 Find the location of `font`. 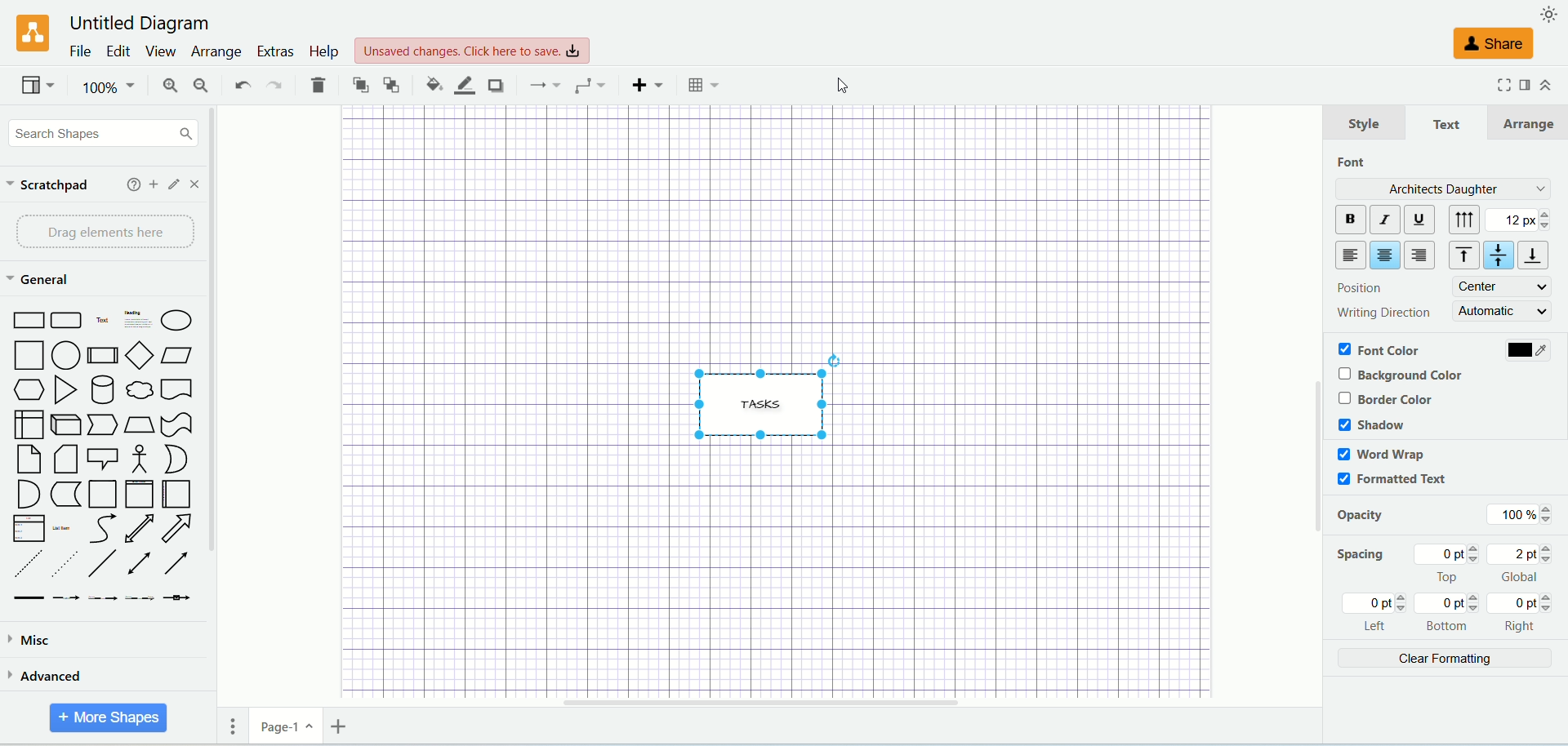

font is located at coordinates (1355, 162).